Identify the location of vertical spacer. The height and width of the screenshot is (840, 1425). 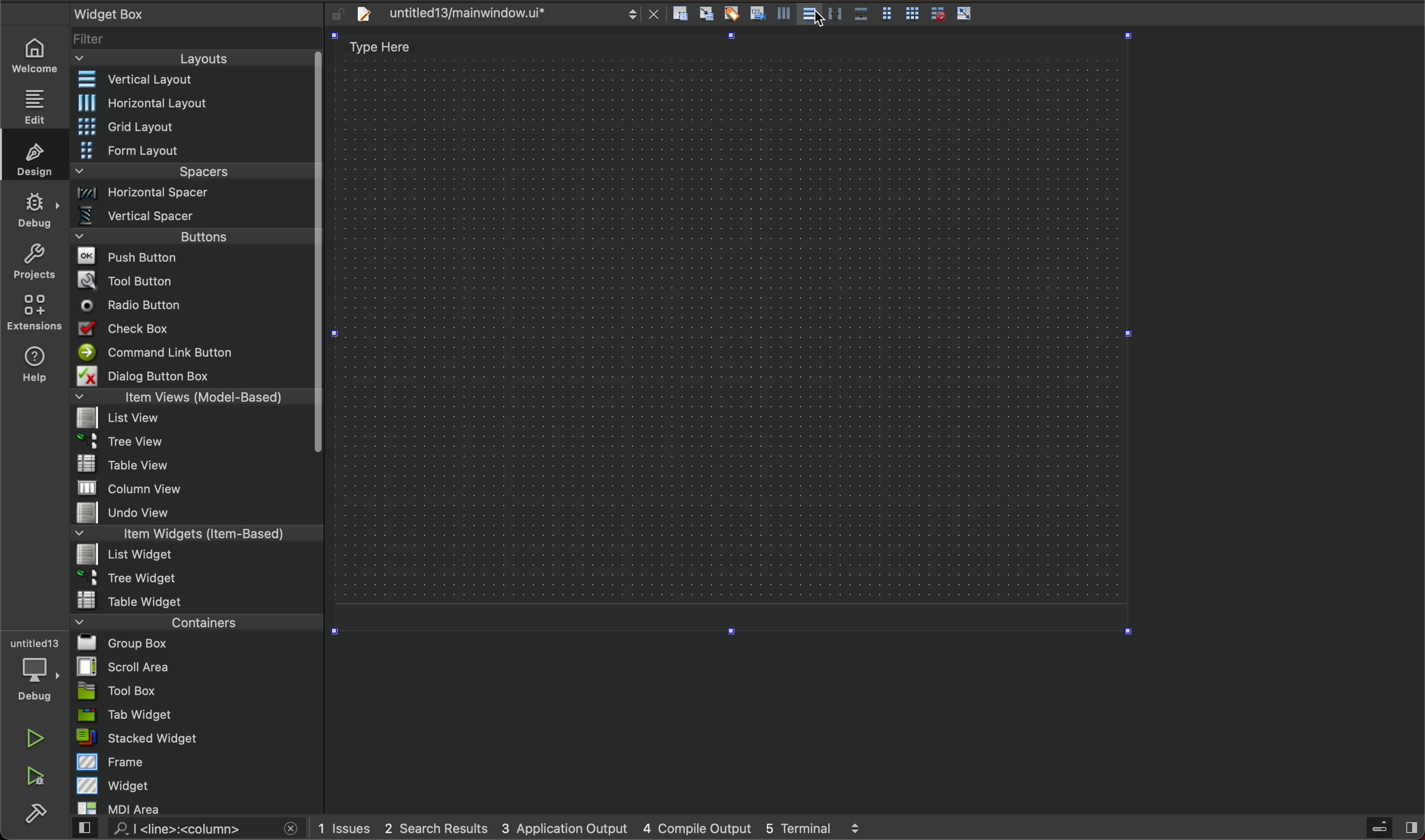
(192, 216).